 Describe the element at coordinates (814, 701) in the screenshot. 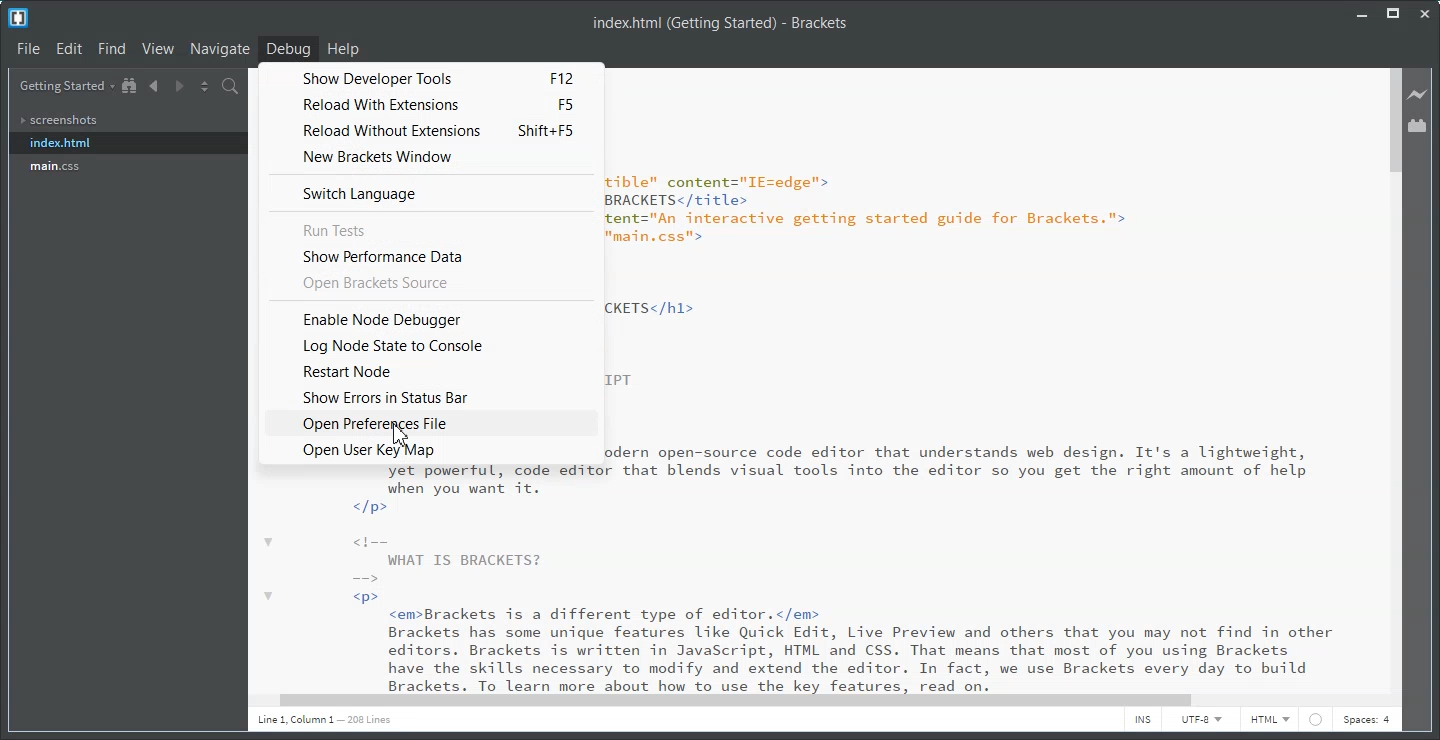

I see `Horizontal Scroll bar` at that location.